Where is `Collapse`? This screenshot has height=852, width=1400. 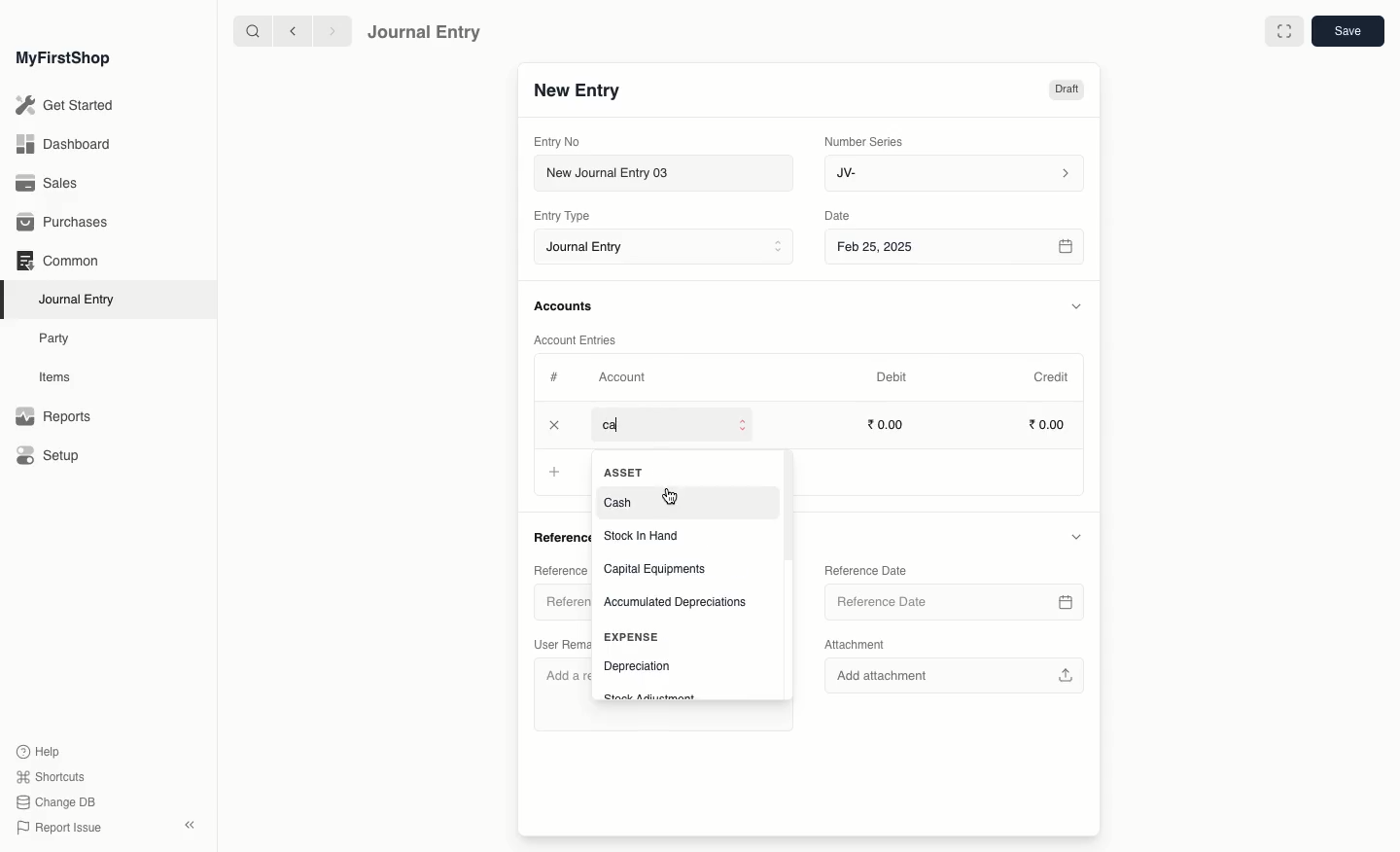
Collapse is located at coordinates (190, 825).